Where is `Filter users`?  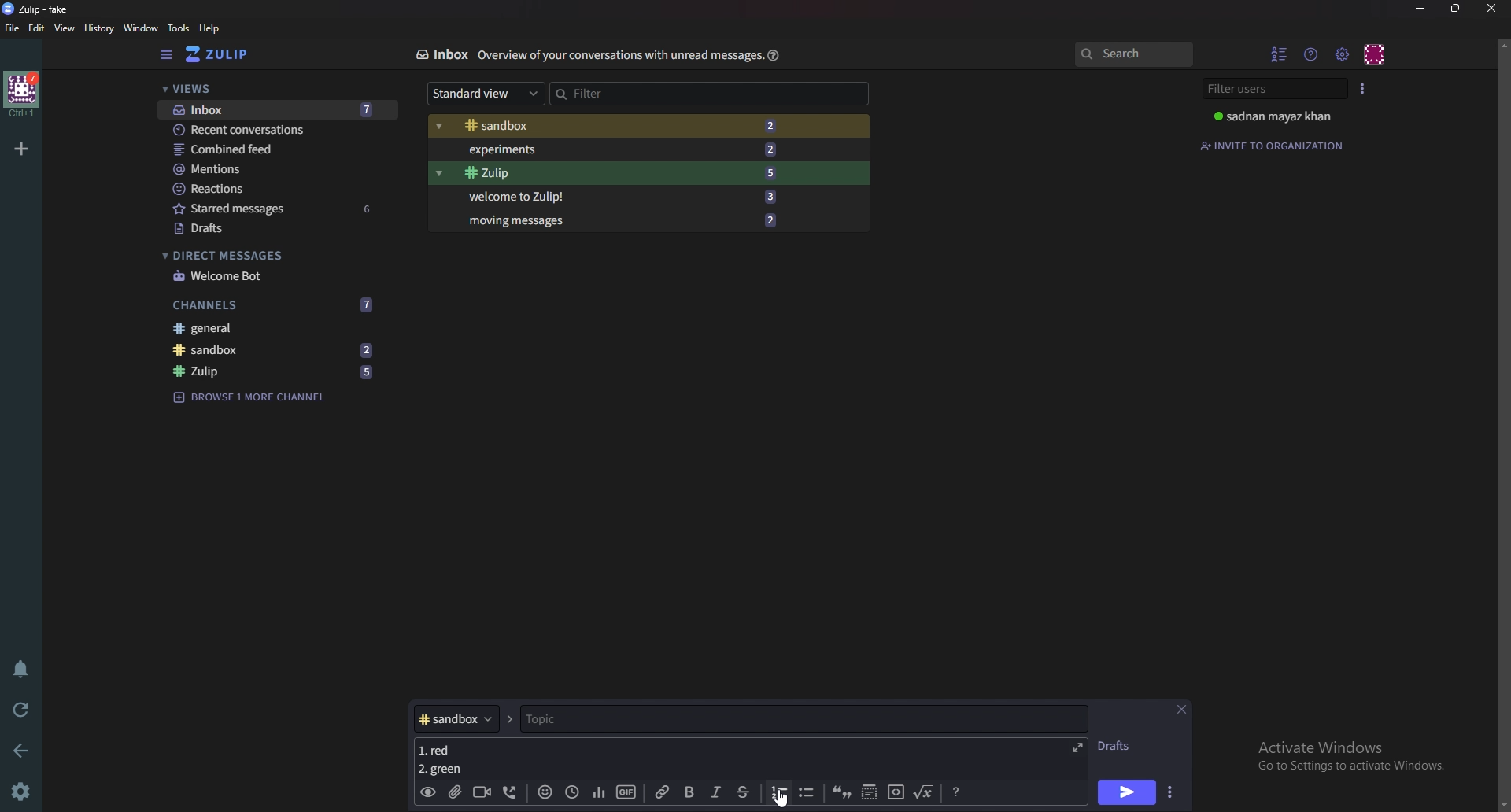
Filter users is located at coordinates (1273, 89).